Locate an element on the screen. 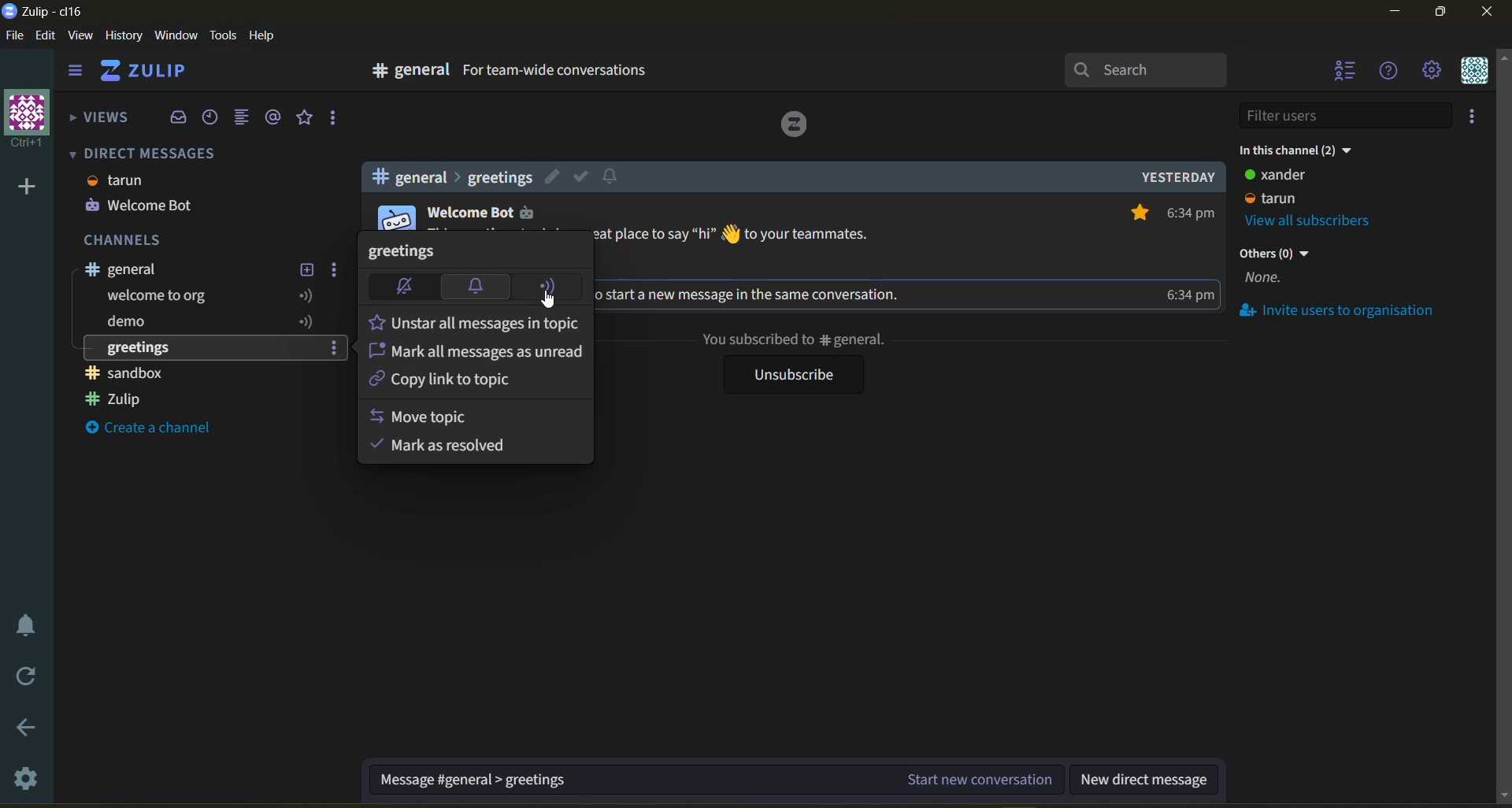 The image size is (1512, 808). app name and organisation name is located at coordinates (49, 14).